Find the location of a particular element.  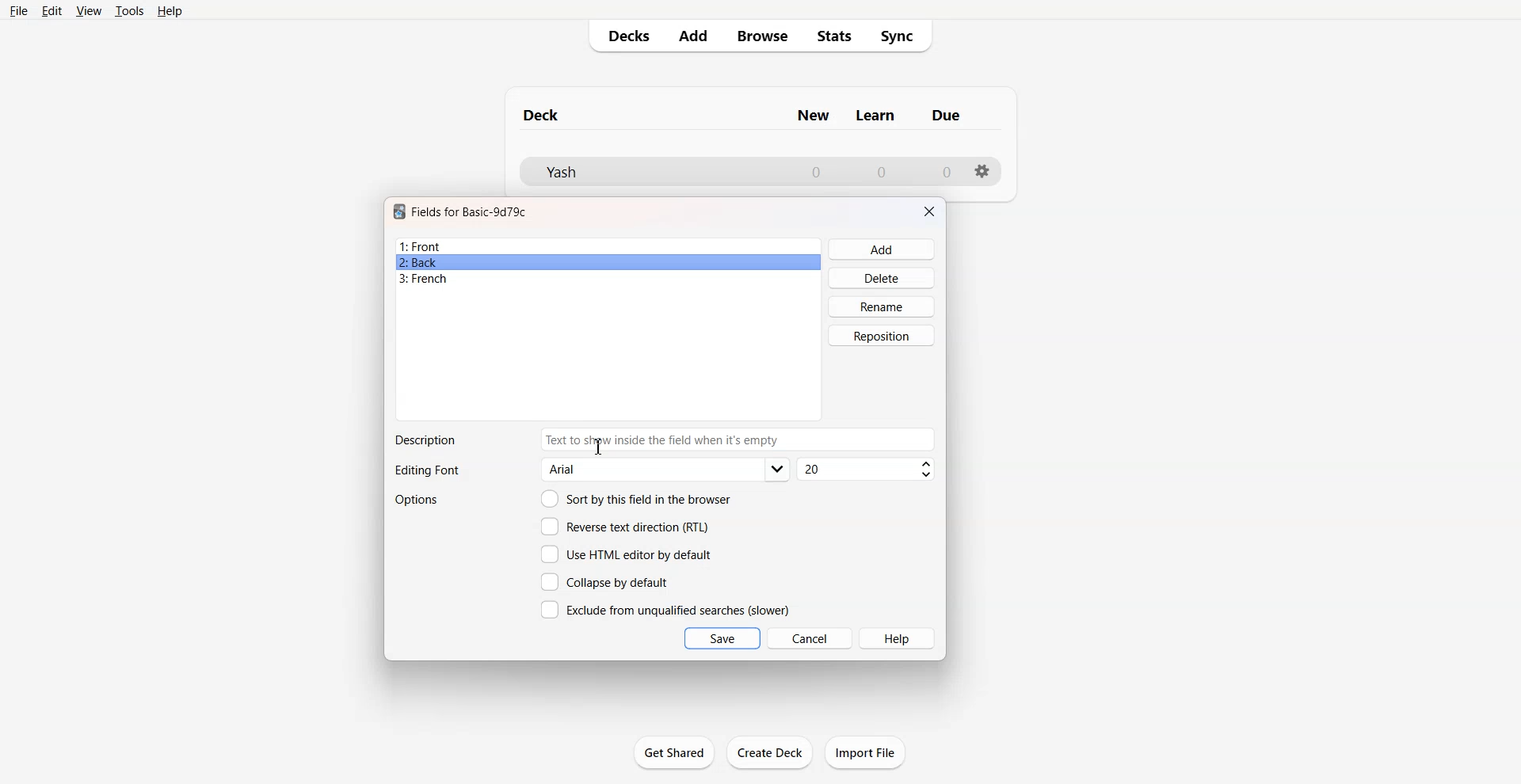

Get Shared is located at coordinates (674, 752).